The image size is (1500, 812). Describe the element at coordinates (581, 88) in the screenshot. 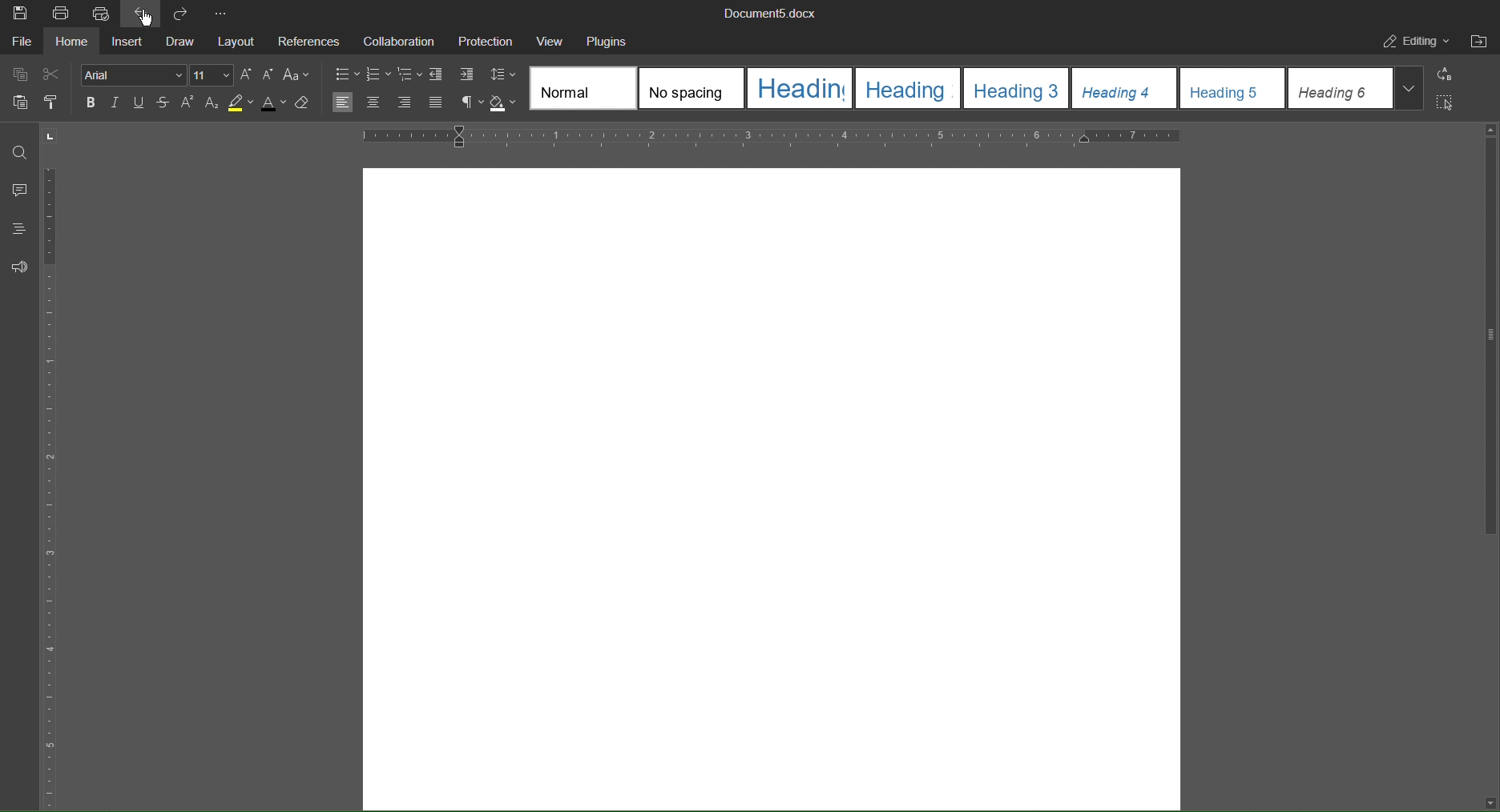

I see `template` at that location.